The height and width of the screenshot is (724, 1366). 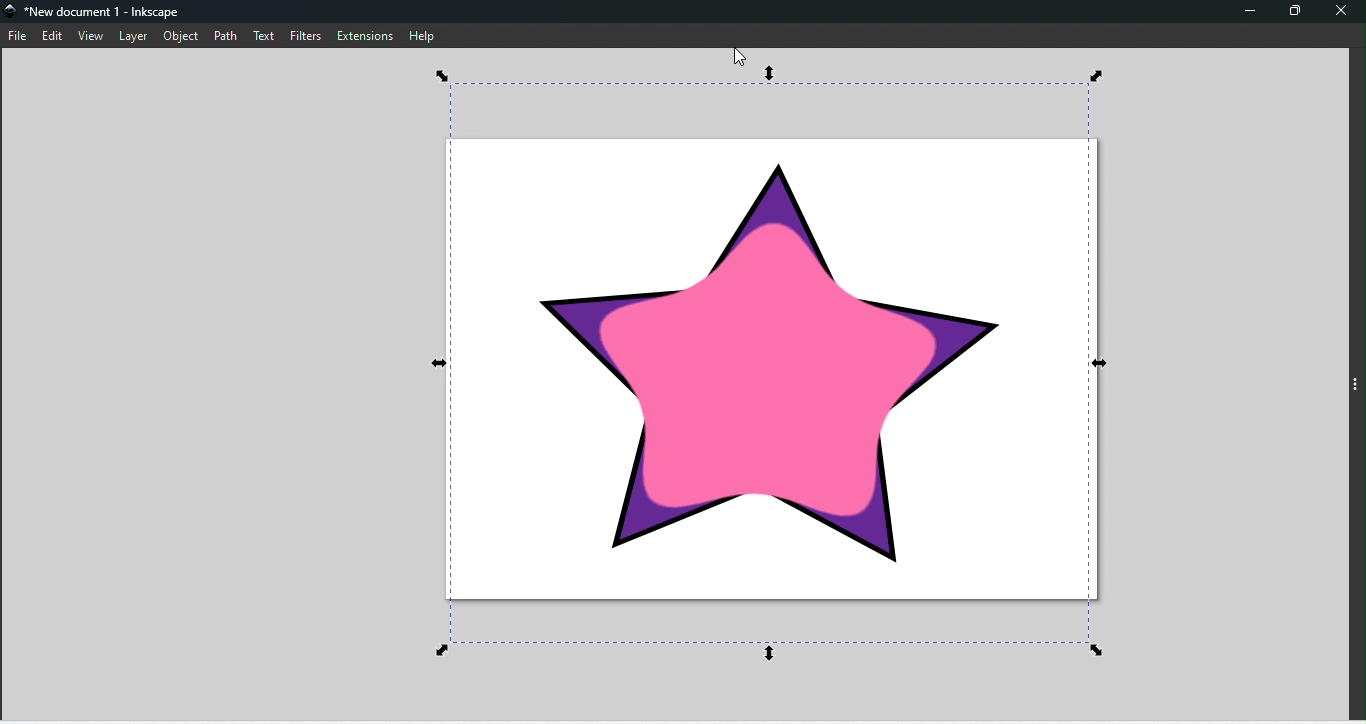 I want to click on Edit, so click(x=53, y=35).